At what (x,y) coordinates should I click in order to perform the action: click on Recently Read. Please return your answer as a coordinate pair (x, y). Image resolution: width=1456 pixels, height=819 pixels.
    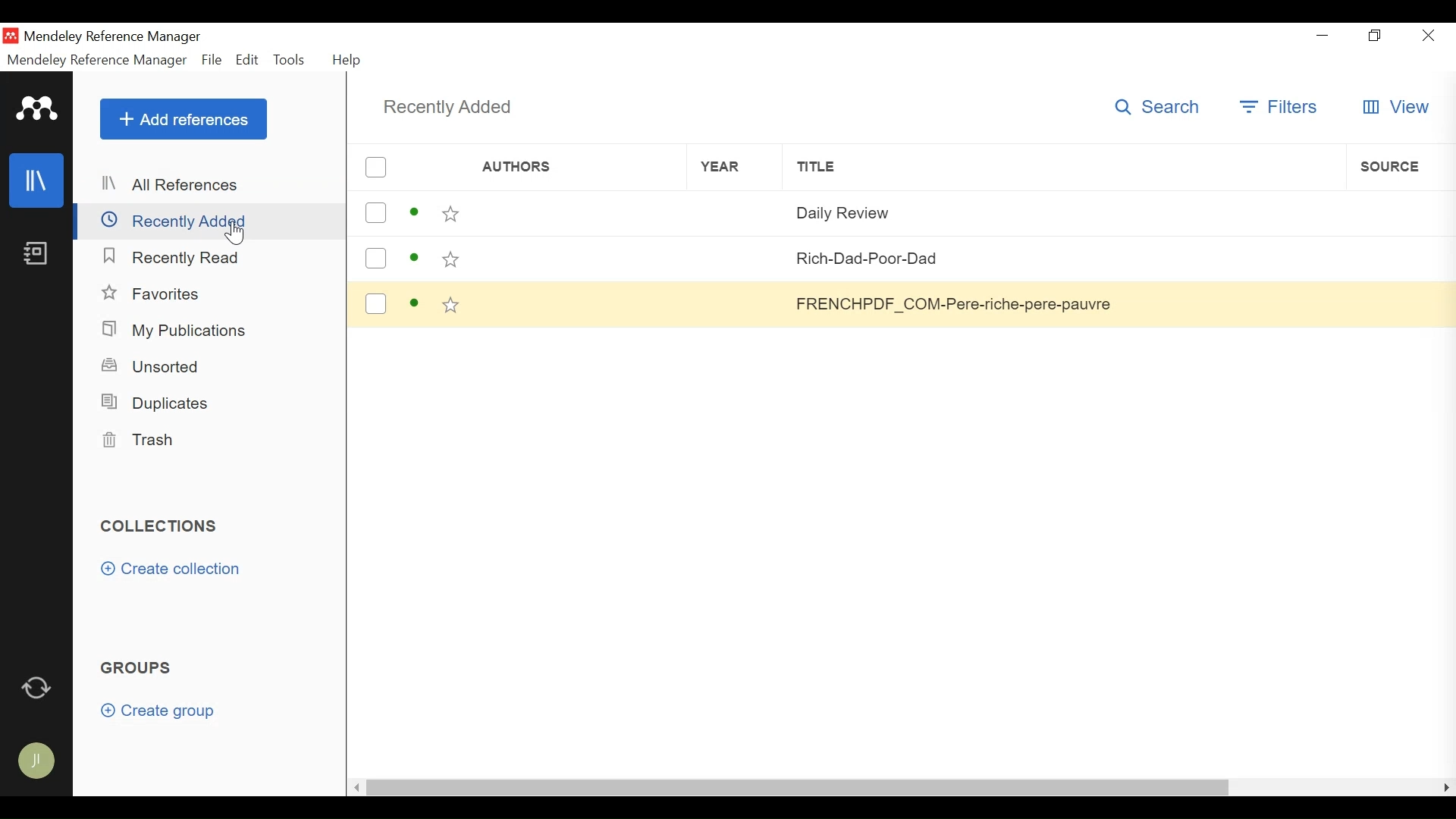
    Looking at the image, I should click on (175, 258).